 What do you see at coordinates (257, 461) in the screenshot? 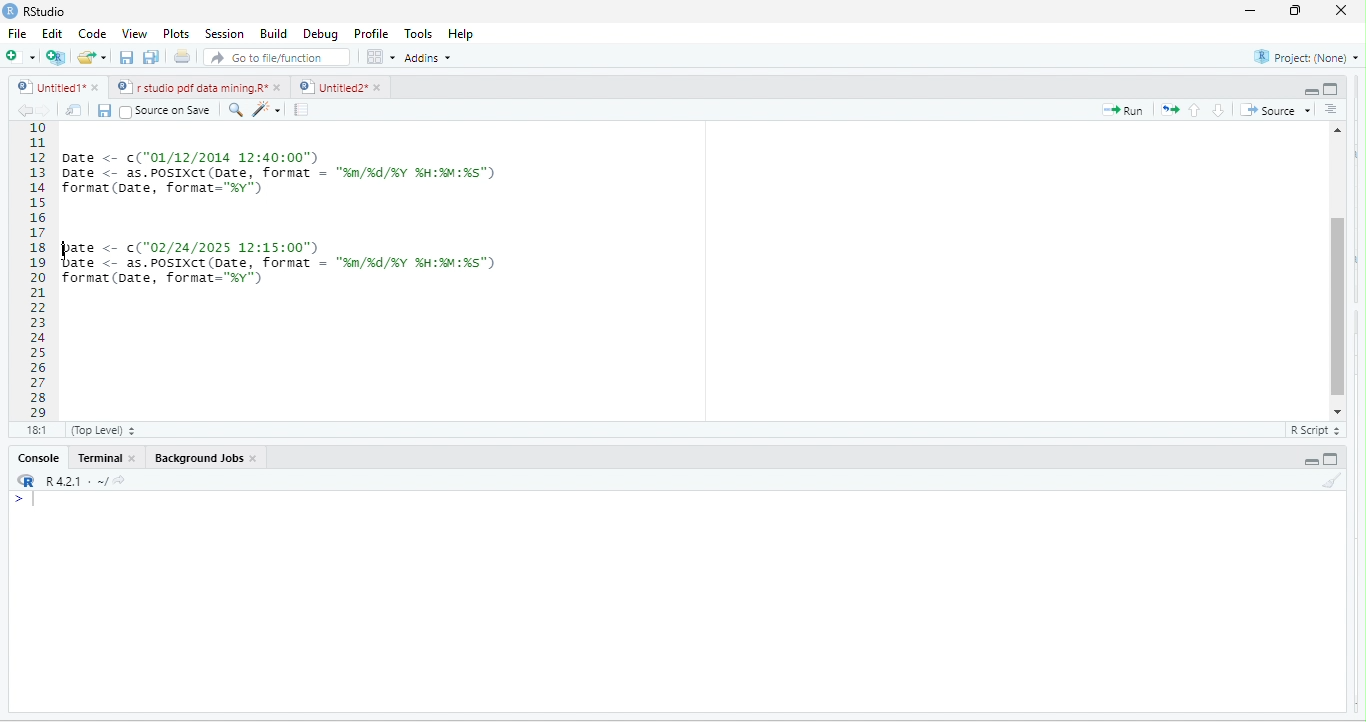
I see `close` at bounding box center [257, 461].